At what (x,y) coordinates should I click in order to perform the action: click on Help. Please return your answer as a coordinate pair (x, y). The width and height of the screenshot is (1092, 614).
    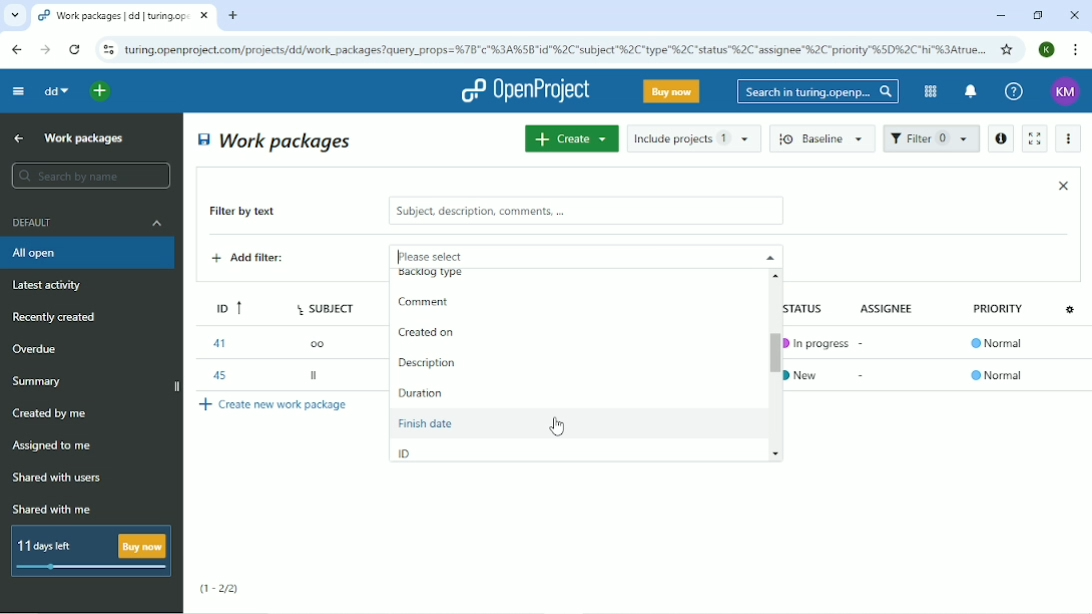
    Looking at the image, I should click on (1014, 92).